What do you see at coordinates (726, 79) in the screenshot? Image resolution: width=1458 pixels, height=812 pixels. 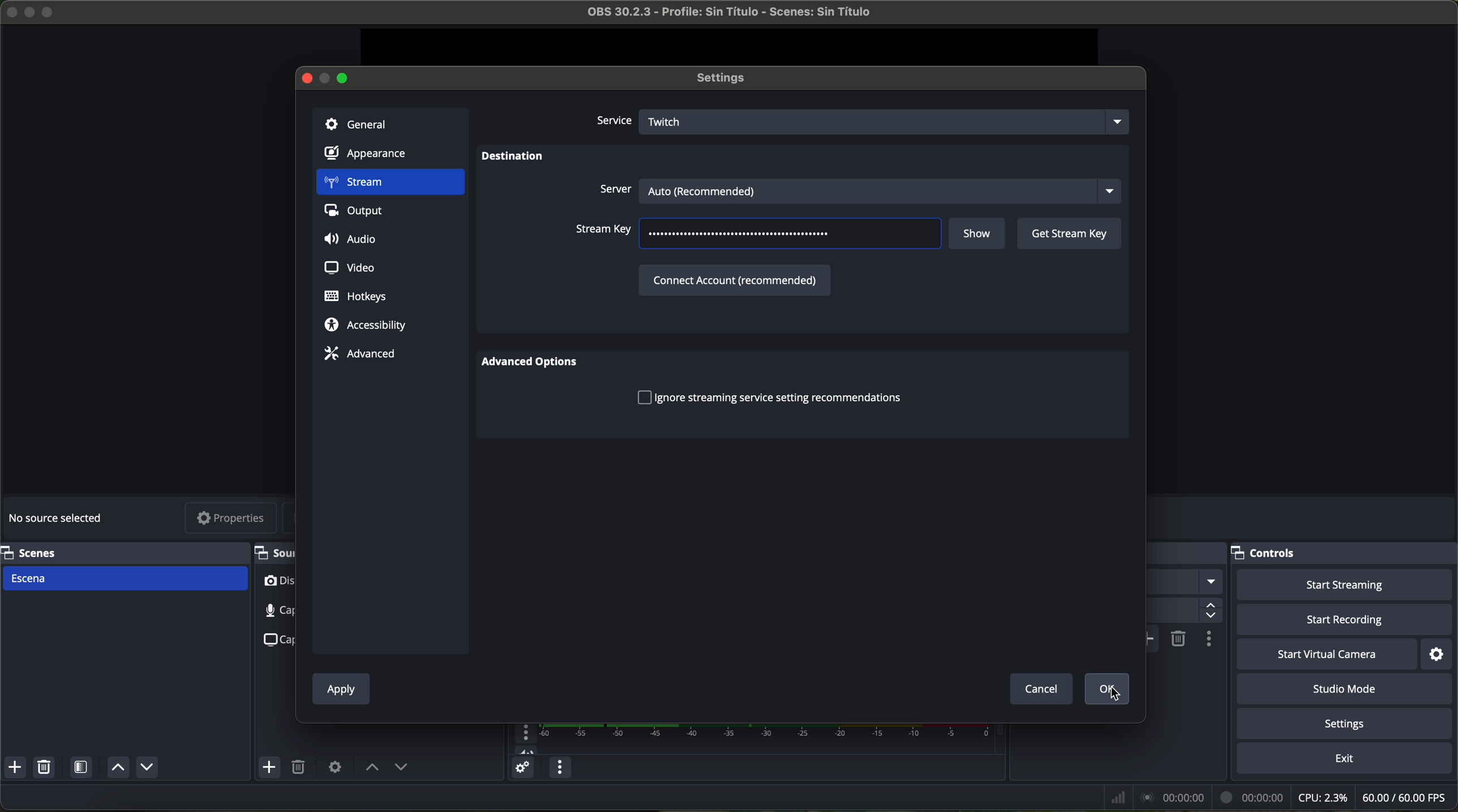 I see `settings` at bounding box center [726, 79].